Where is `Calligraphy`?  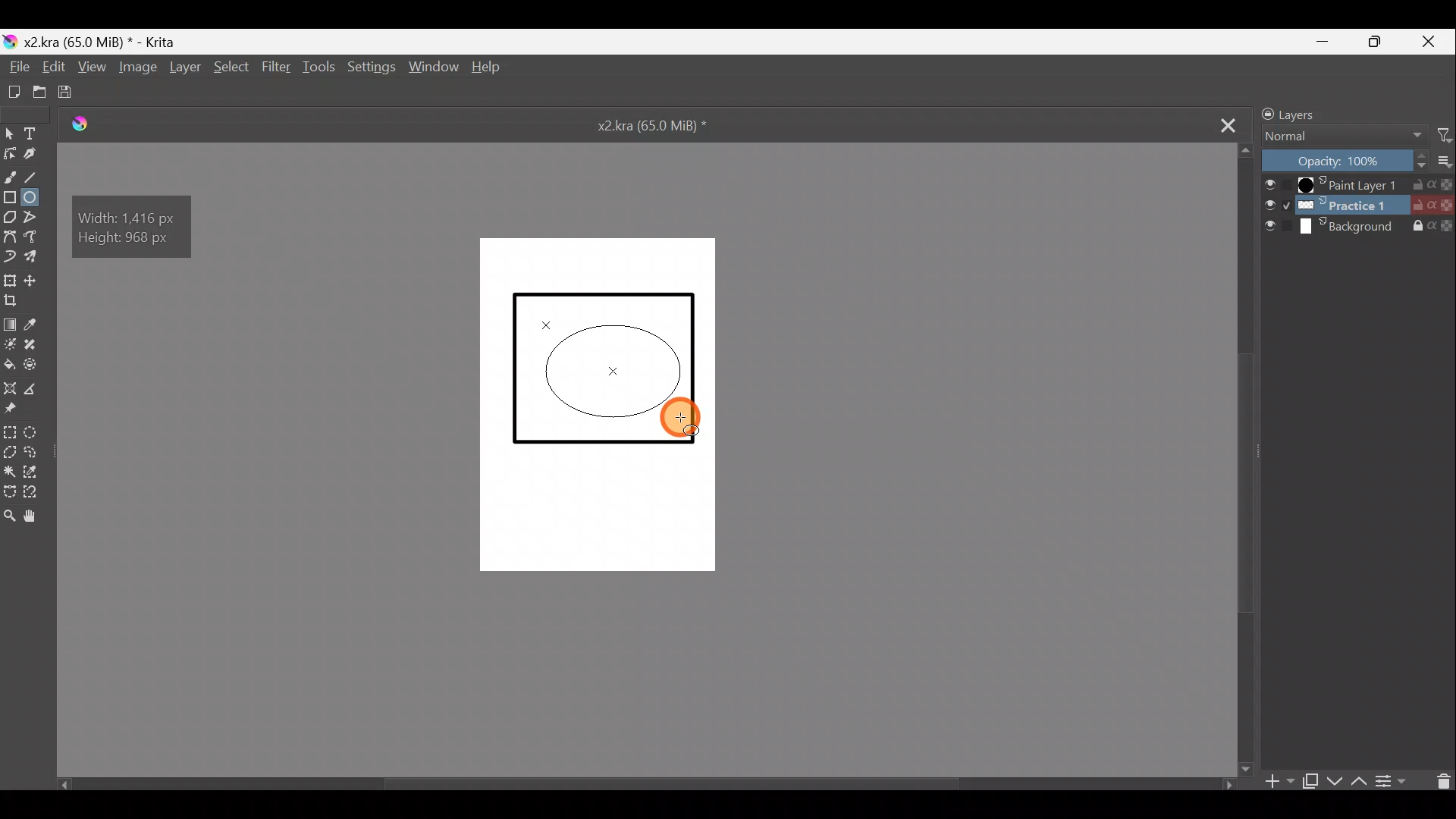 Calligraphy is located at coordinates (38, 155).